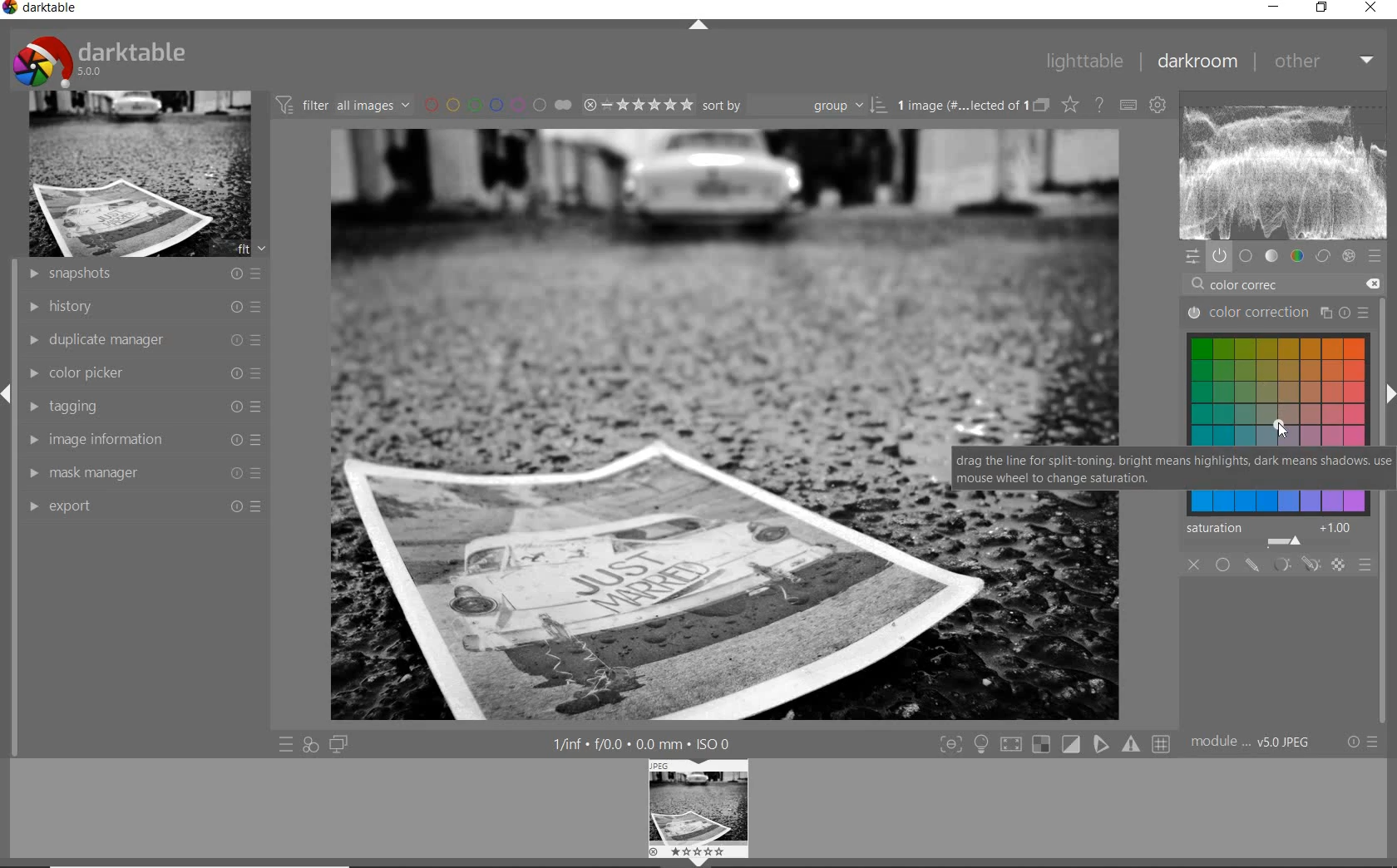  What do you see at coordinates (310, 744) in the screenshot?
I see `quick access for applying any of style` at bounding box center [310, 744].